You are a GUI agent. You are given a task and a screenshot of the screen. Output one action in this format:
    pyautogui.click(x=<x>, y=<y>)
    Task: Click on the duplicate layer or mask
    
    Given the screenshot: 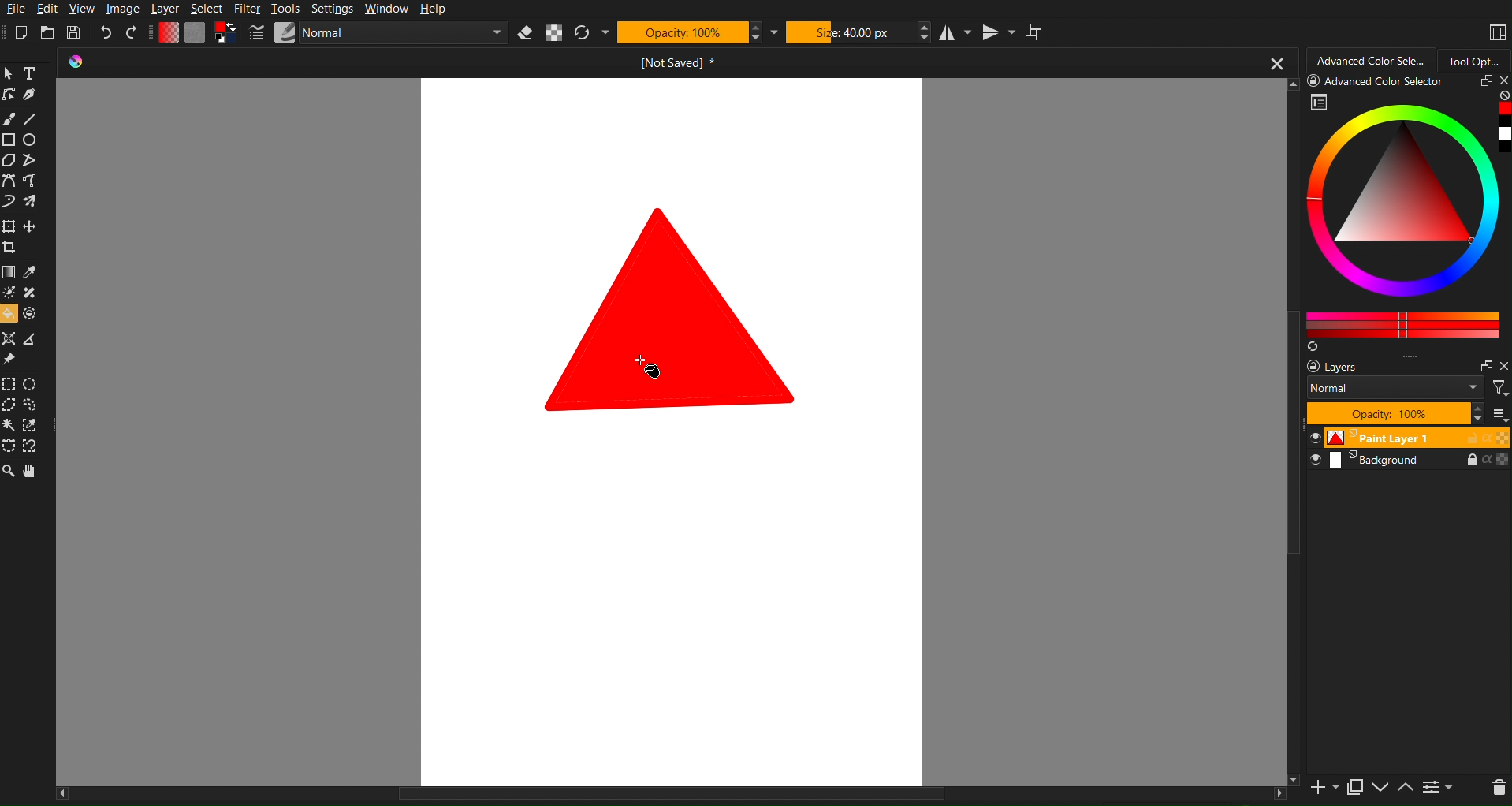 What is the action you would take?
    pyautogui.click(x=1354, y=787)
    